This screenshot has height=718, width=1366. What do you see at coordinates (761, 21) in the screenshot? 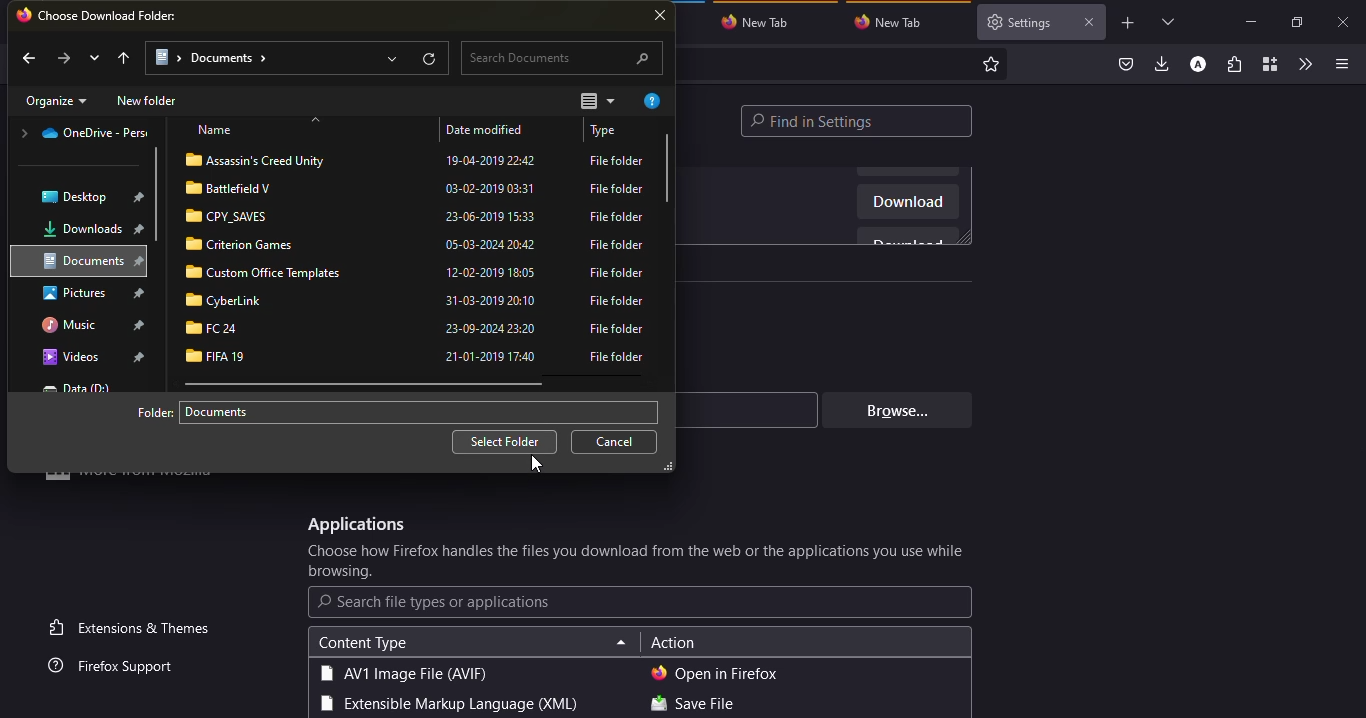
I see `tab` at bounding box center [761, 21].